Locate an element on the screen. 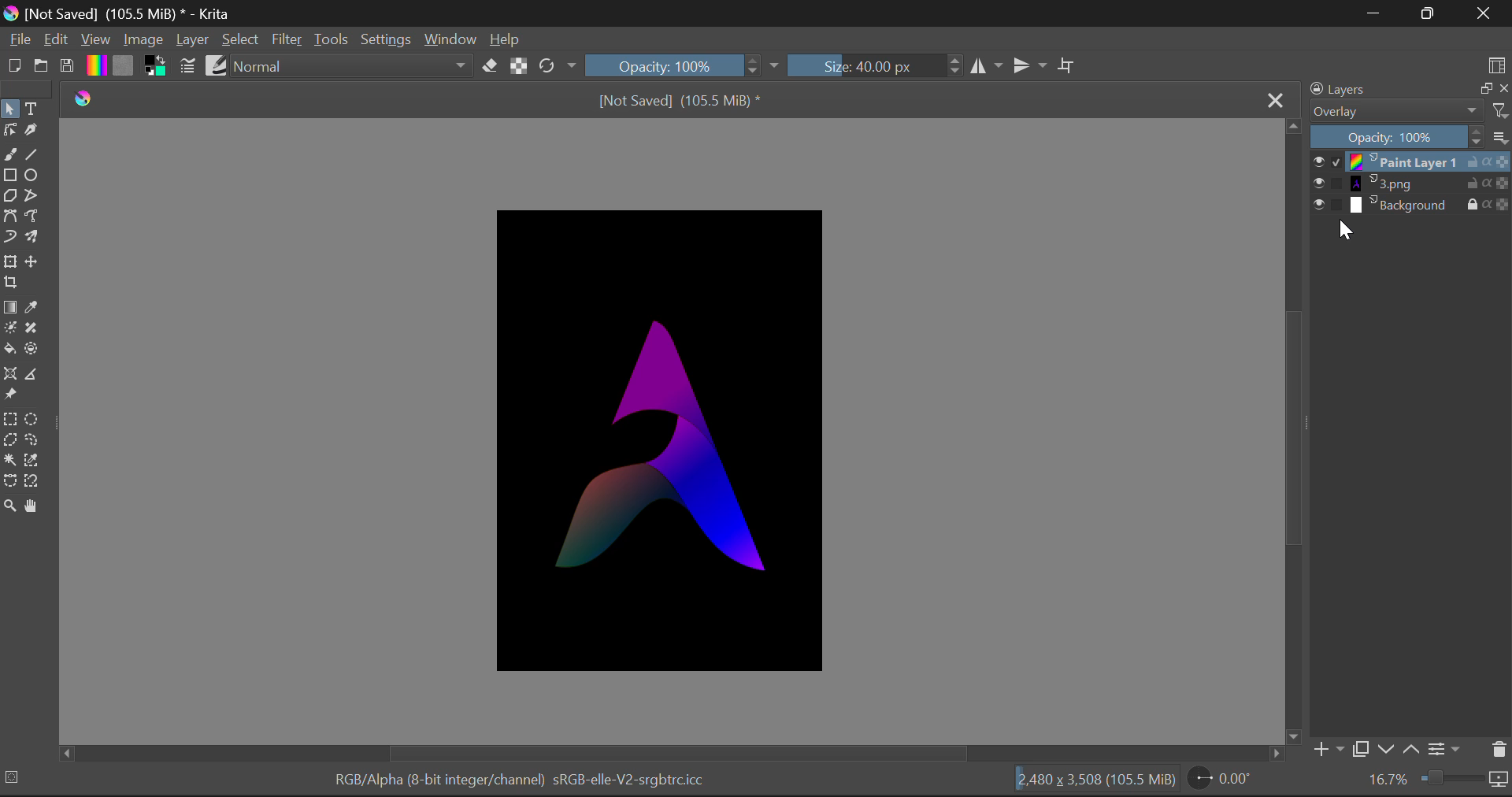  Save is located at coordinates (68, 68).